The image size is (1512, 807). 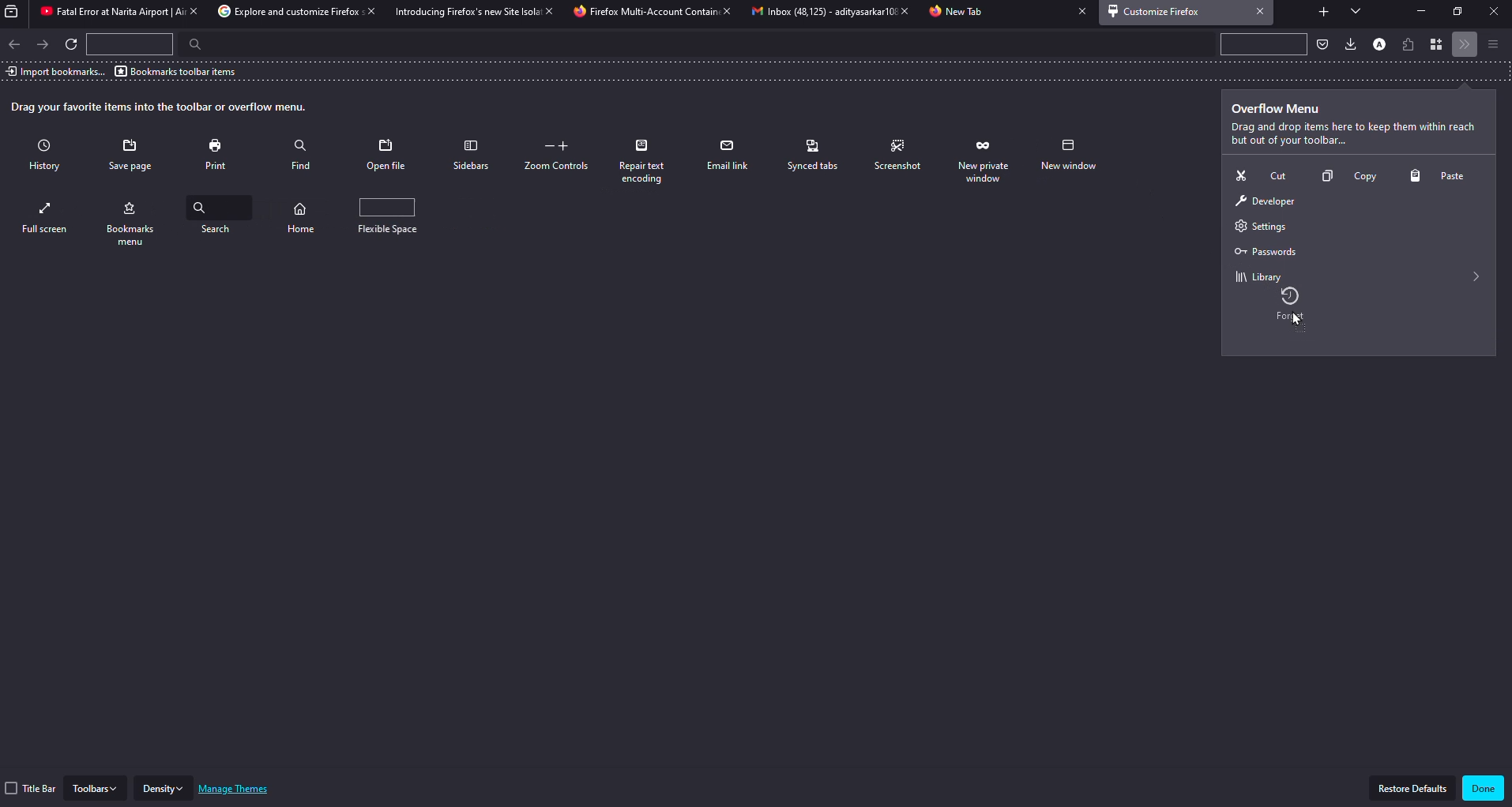 I want to click on cut, so click(x=1258, y=175).